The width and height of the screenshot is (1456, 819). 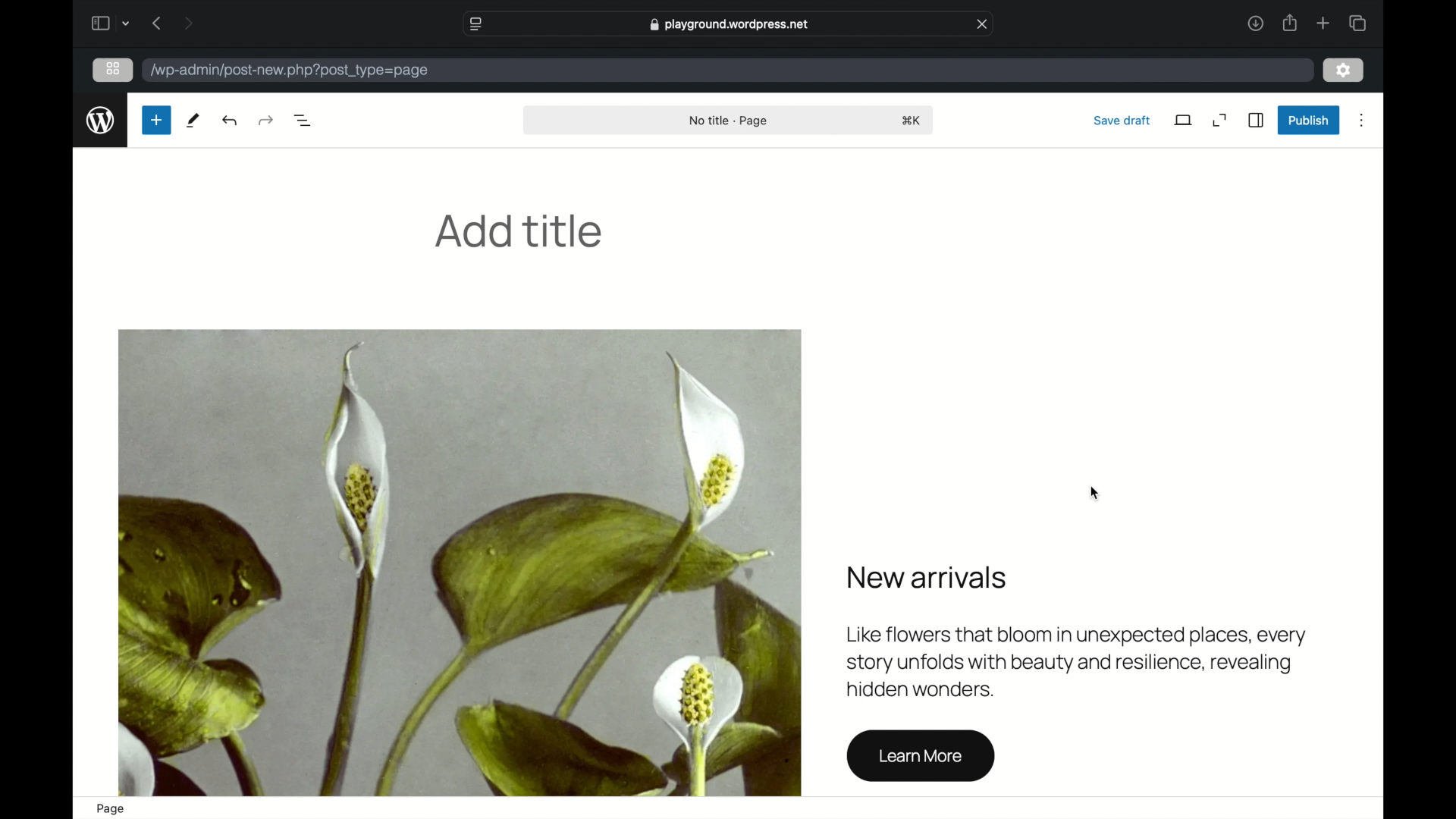 I want to click on web address, so click(x=728, y=24).